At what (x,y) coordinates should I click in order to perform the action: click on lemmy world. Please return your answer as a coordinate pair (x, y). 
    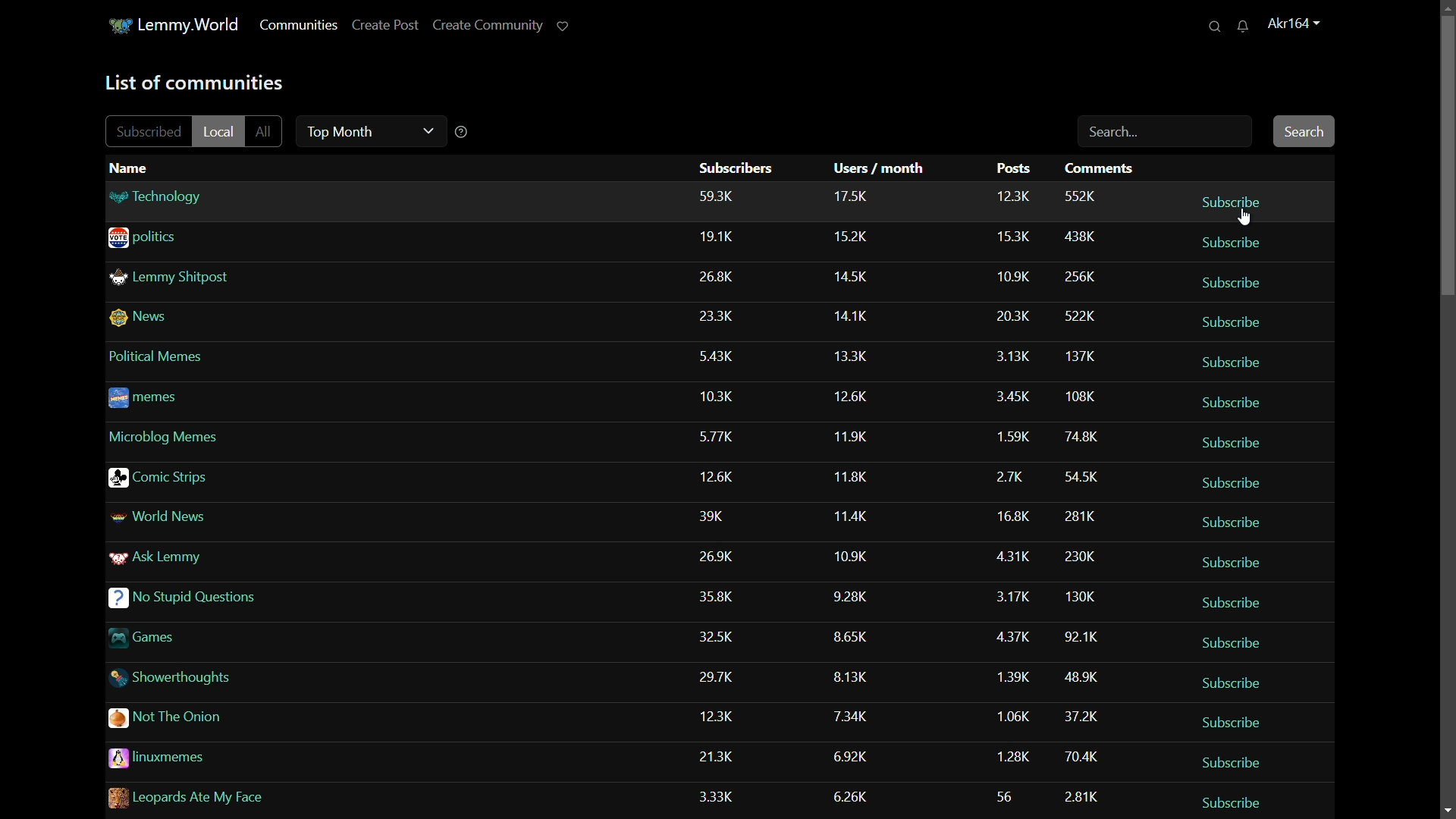
    Looking at the image, I should click on (193, 25).